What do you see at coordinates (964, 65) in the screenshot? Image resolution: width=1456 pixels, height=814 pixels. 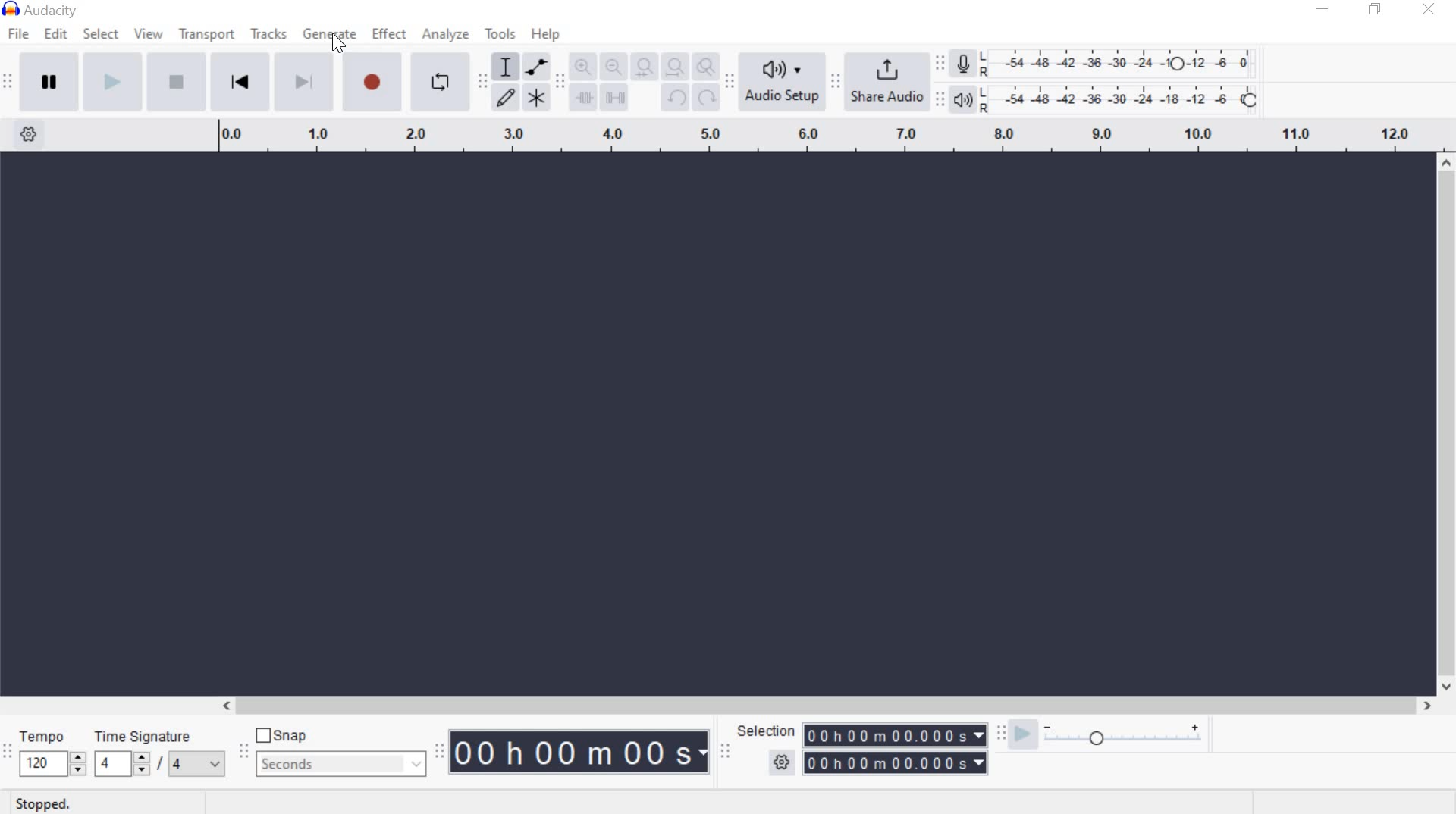 I see `Record Meter` at bounding box center [964, 65].